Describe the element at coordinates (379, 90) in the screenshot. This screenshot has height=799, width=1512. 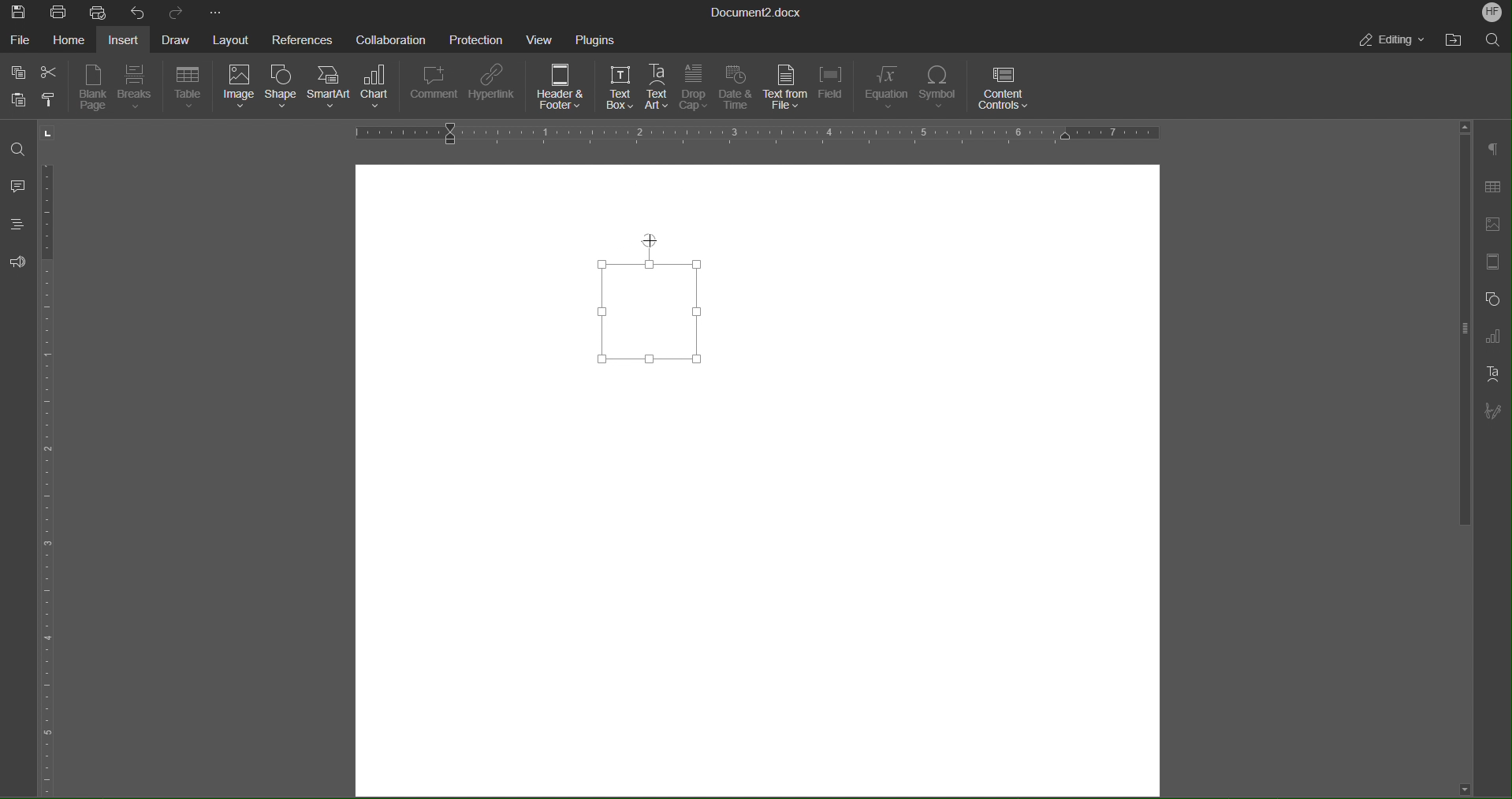
I see `Chart` at that location.